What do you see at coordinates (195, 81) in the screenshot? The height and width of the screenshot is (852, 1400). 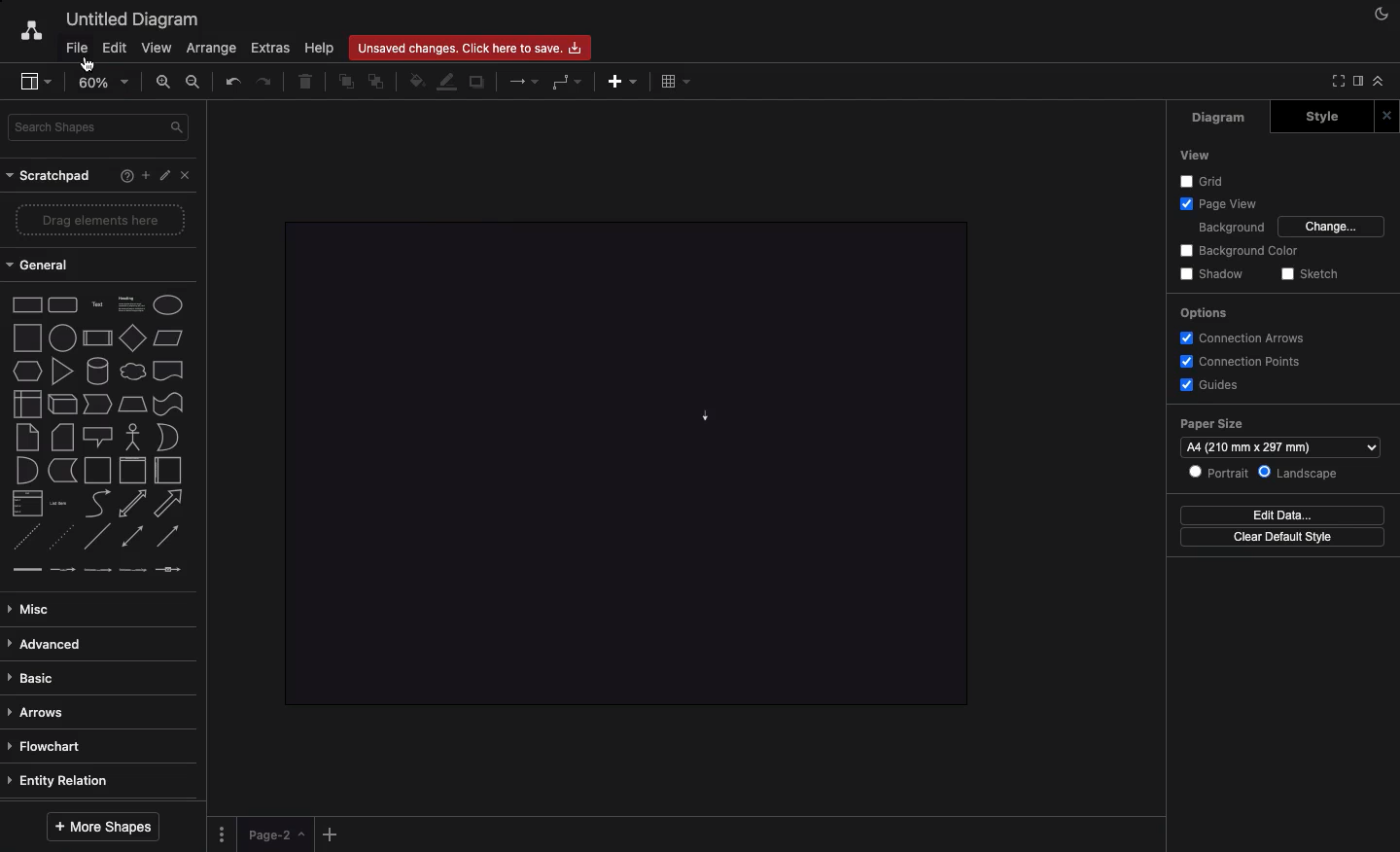 I see `Zoom out` at bounding box center [195, 81].